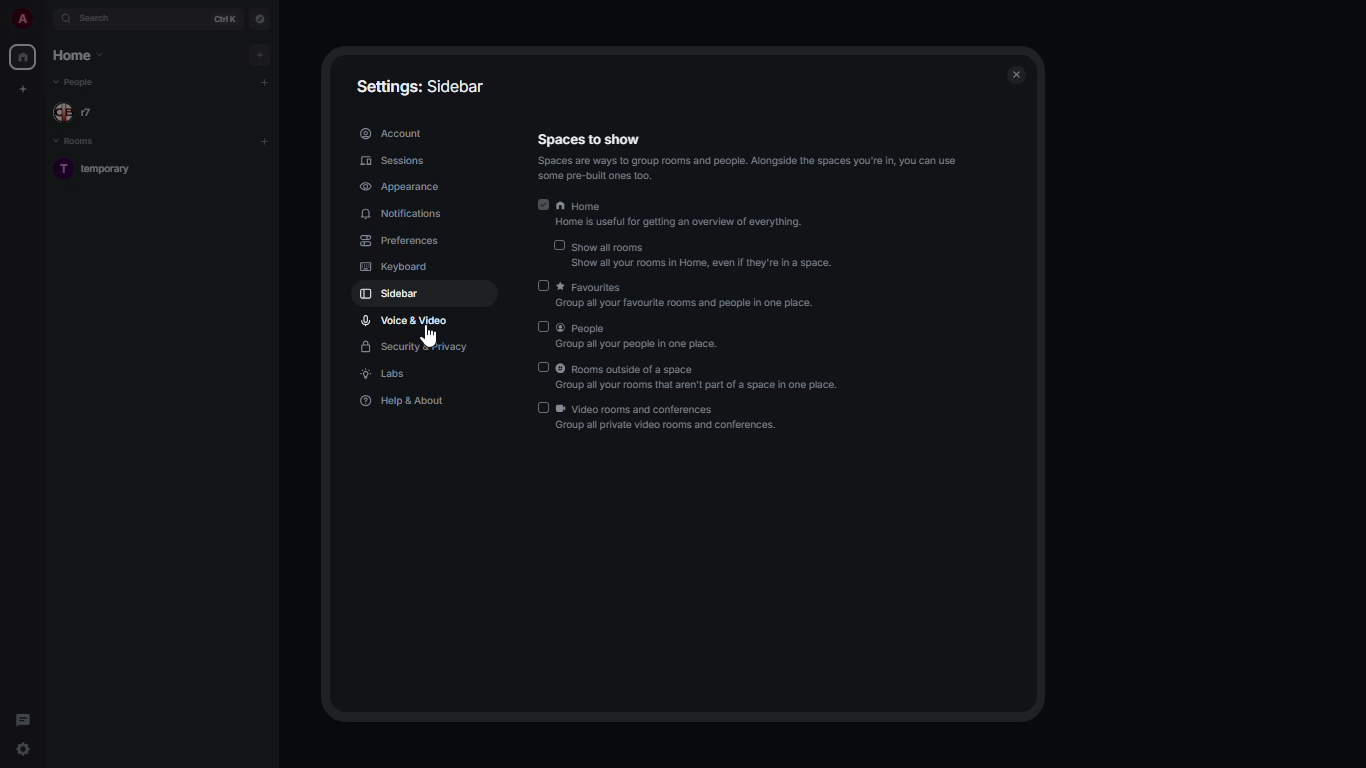 The image size is (1366, 768). Describe the element at coordinates (541, 366) in the screenshot. I see `disabled` at that location.